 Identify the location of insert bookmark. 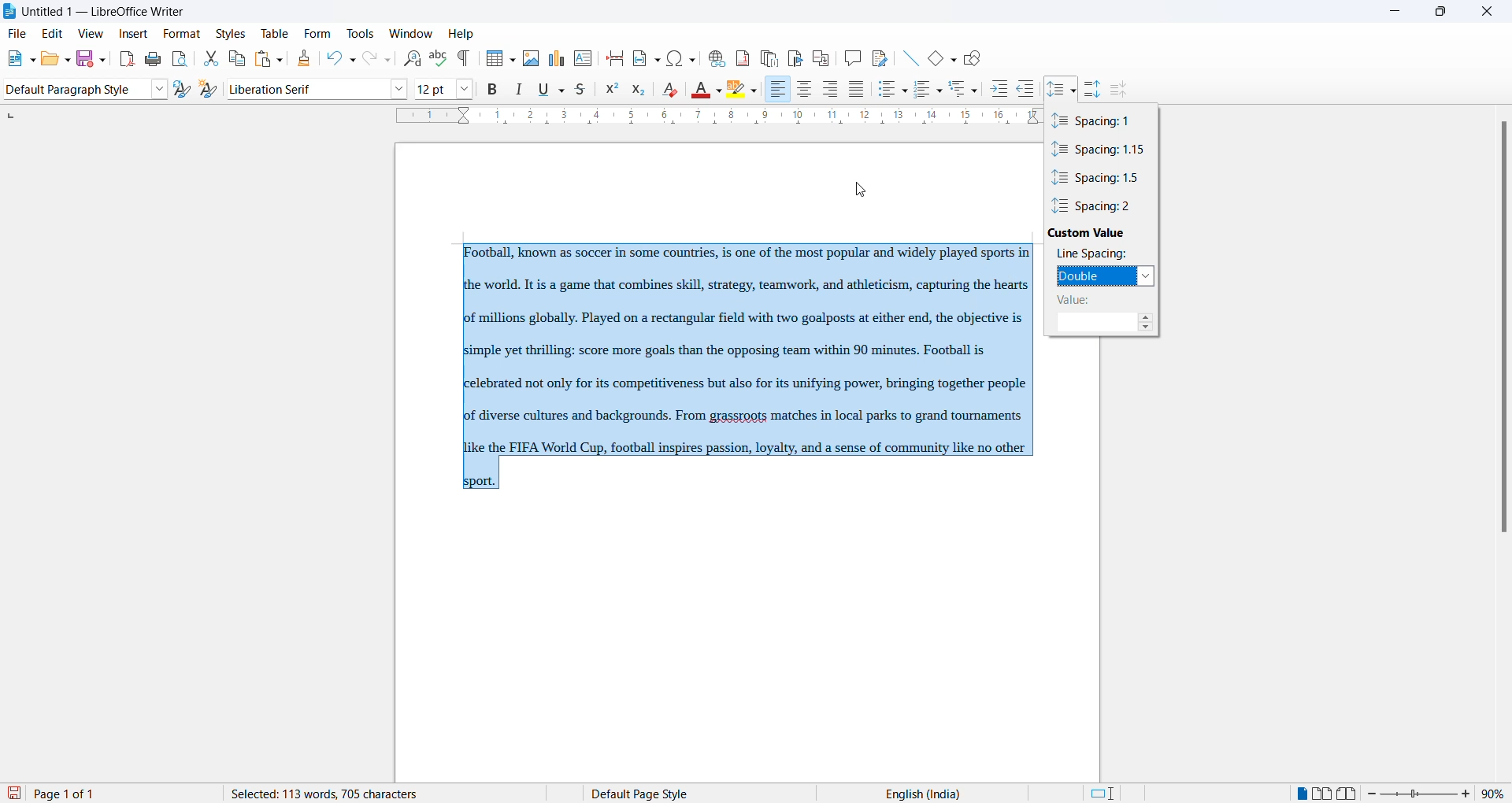
(797, 58).